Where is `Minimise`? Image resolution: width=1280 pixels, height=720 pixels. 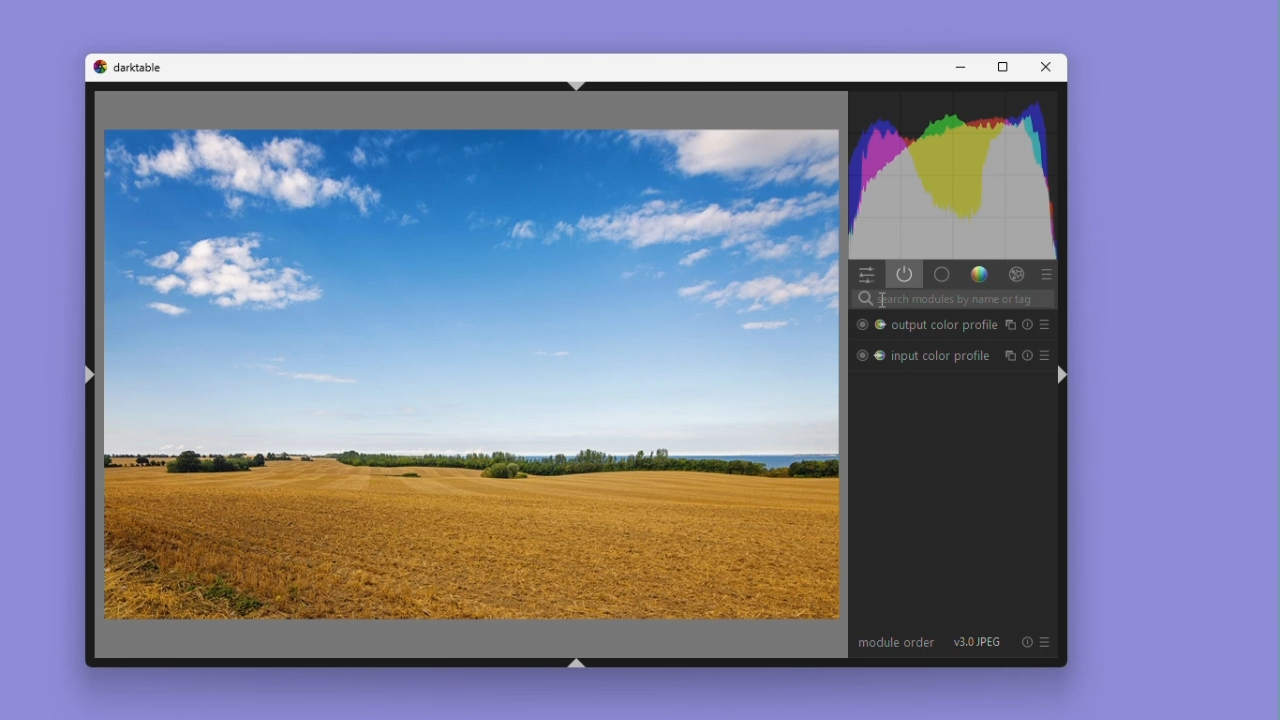 Minimise is located at coordinates (959, 67).